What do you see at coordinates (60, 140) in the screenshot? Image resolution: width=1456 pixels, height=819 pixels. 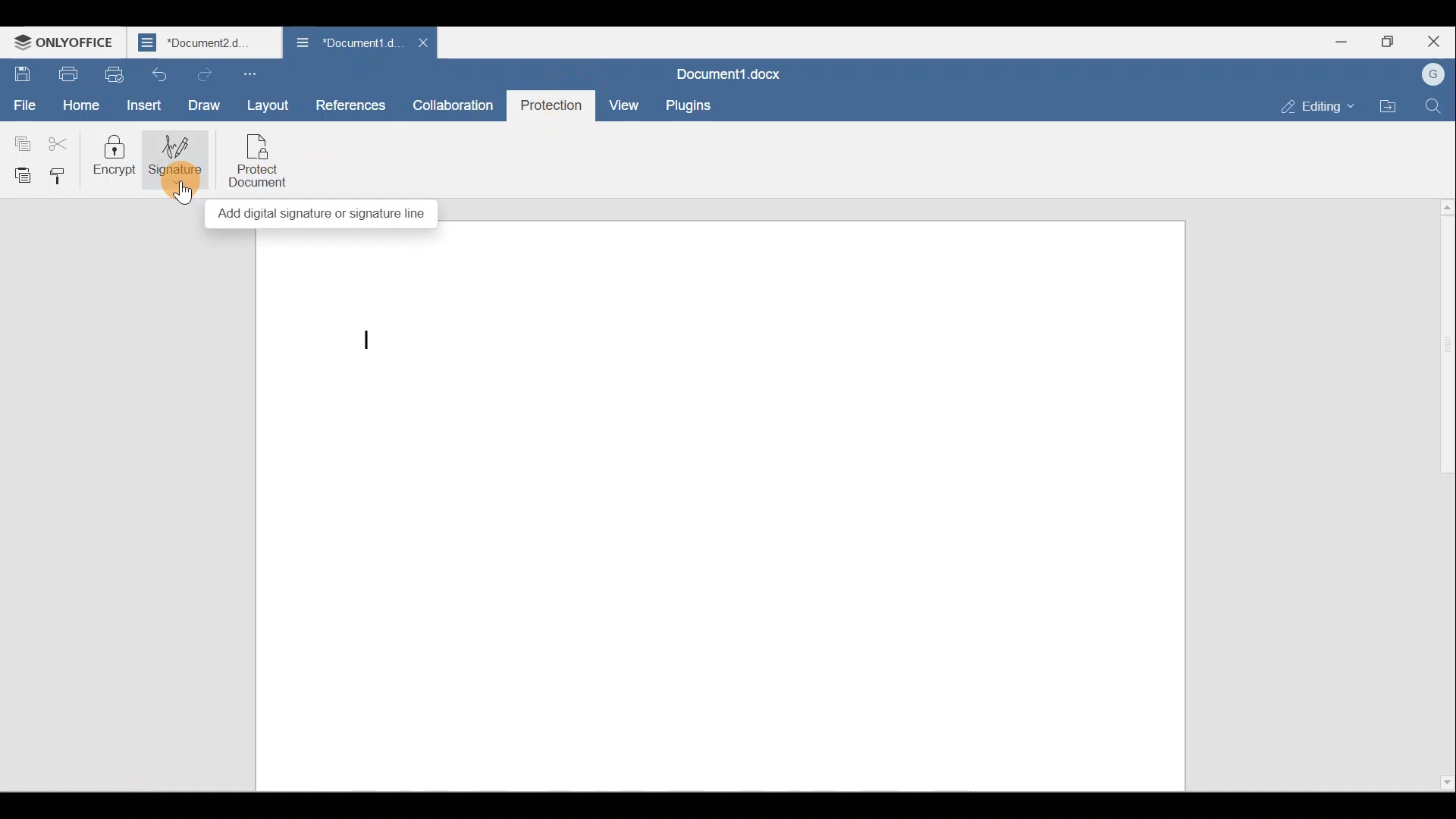 I see `Cut` at bounding box center [60, 140].